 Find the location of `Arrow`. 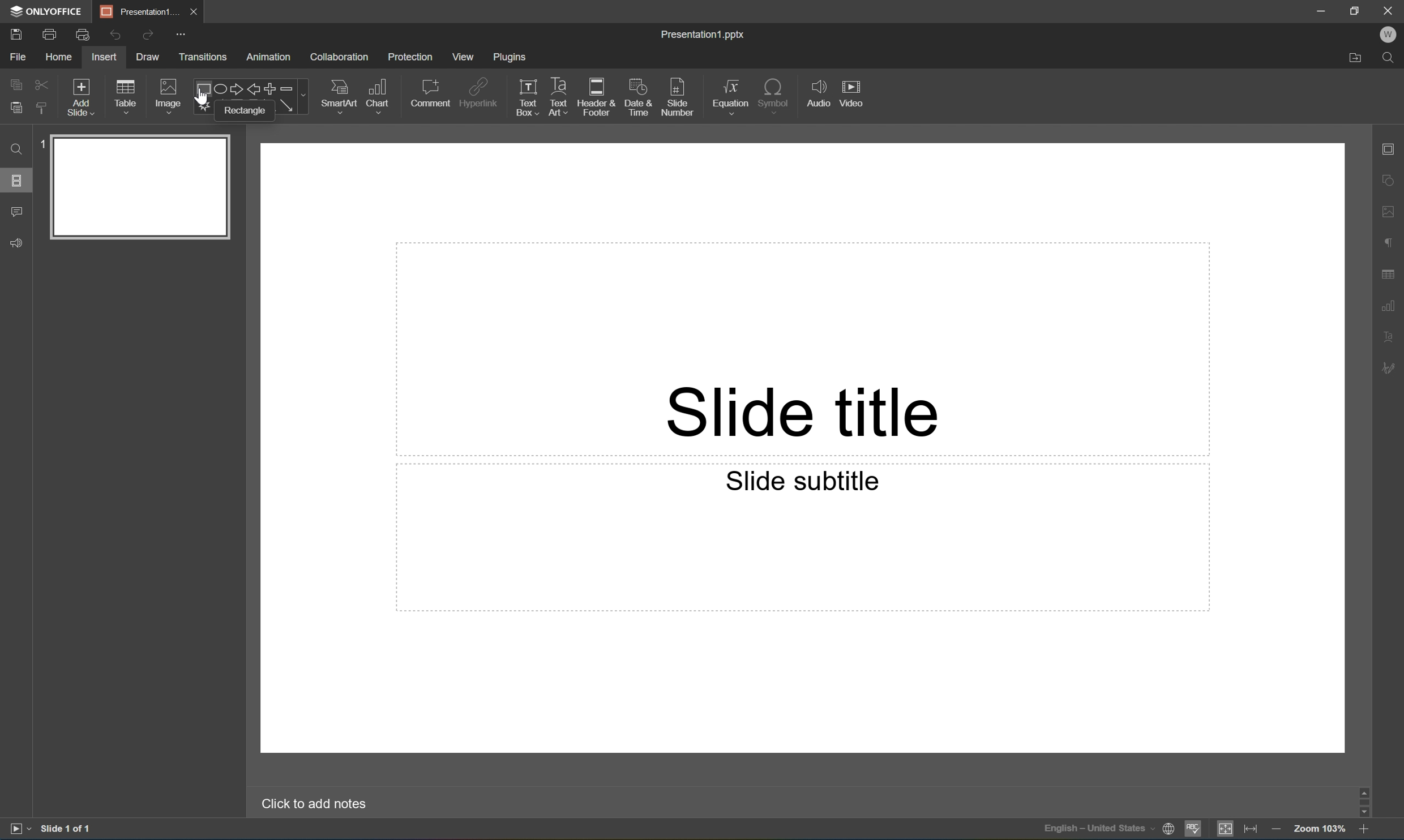

Arrow is located at coordinates (287, 105).